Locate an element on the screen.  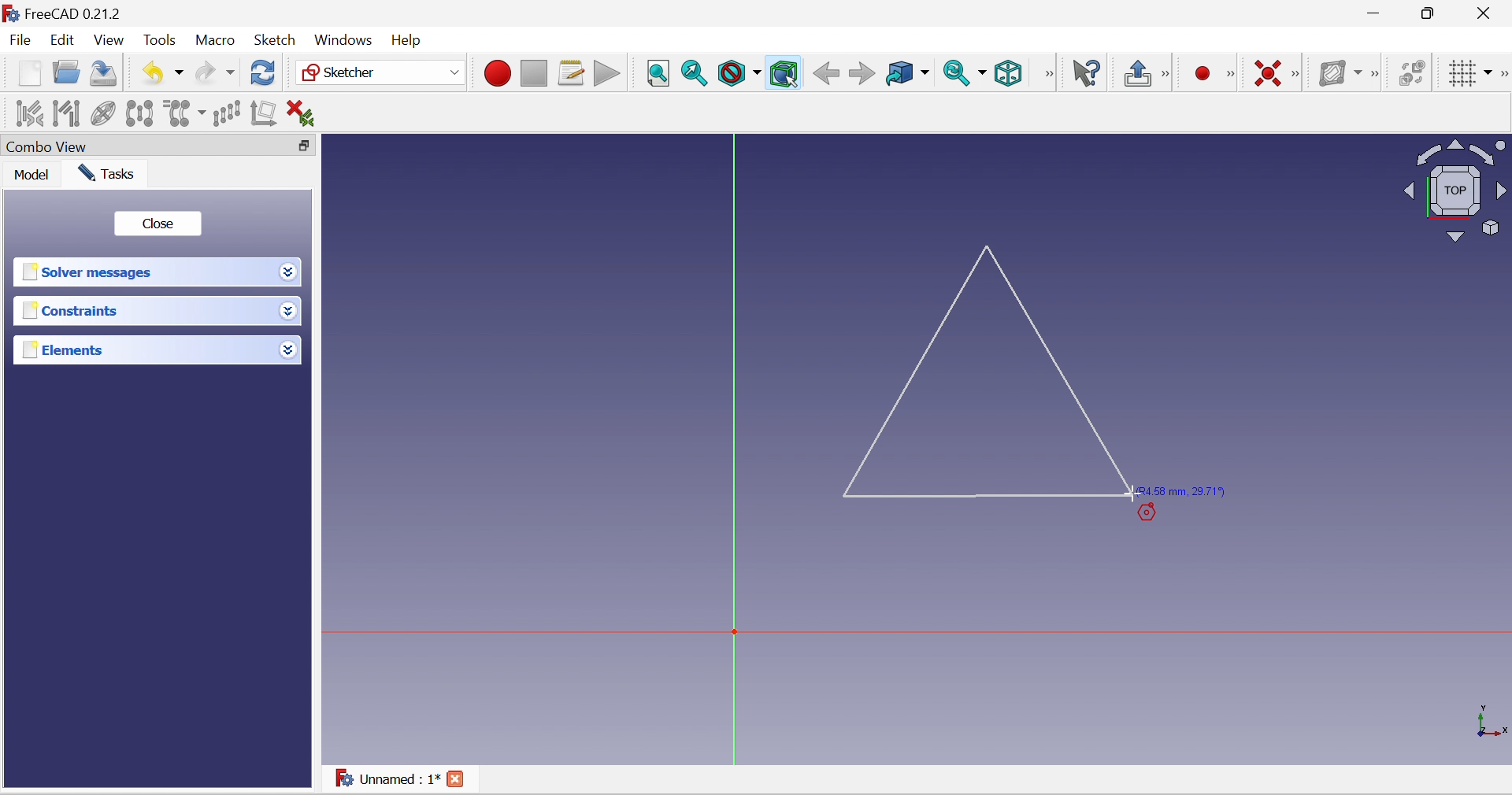
Solver messages is located at coordinates (143, 272).